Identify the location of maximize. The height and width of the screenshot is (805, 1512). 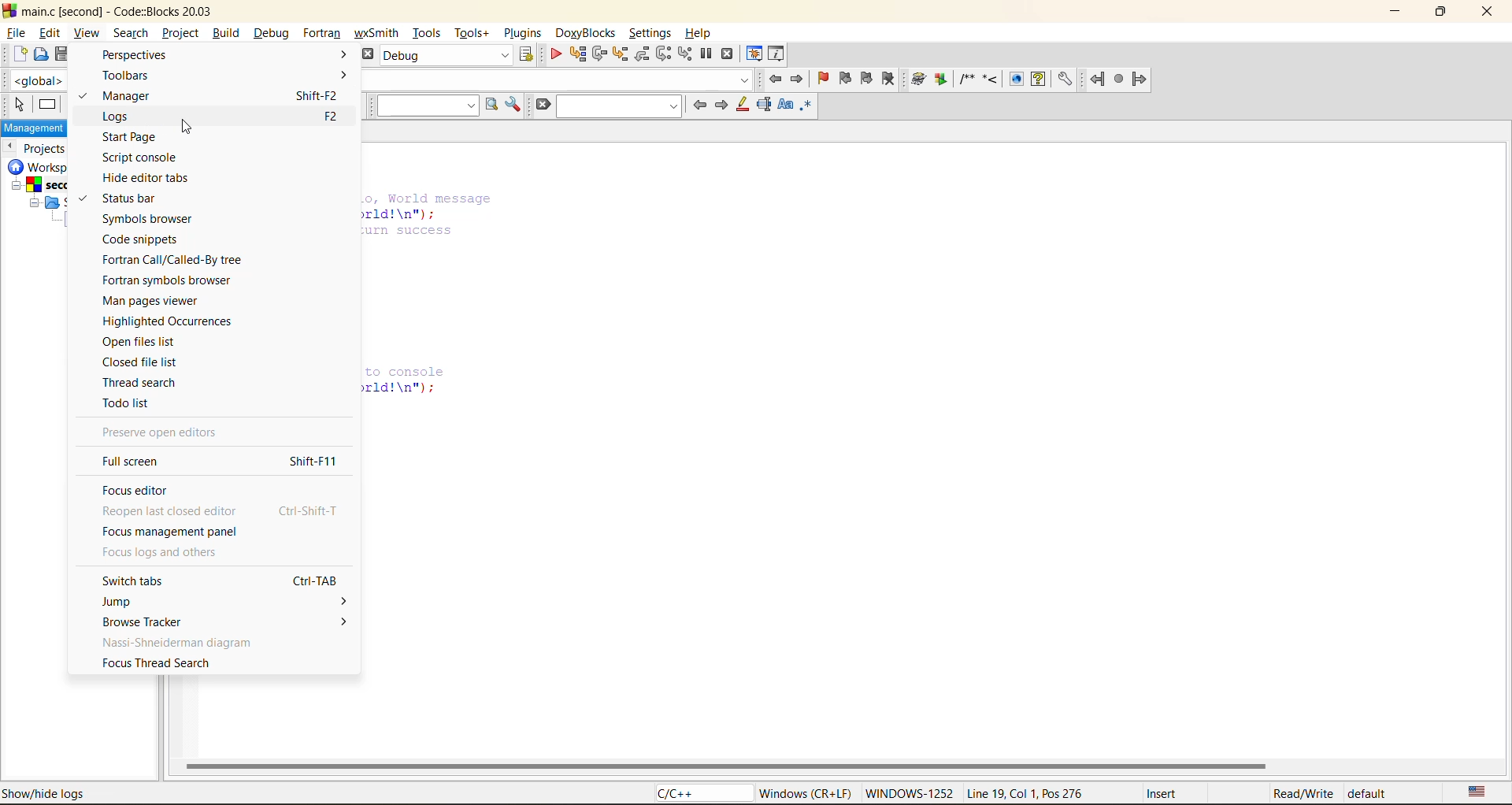
(1440, 13).